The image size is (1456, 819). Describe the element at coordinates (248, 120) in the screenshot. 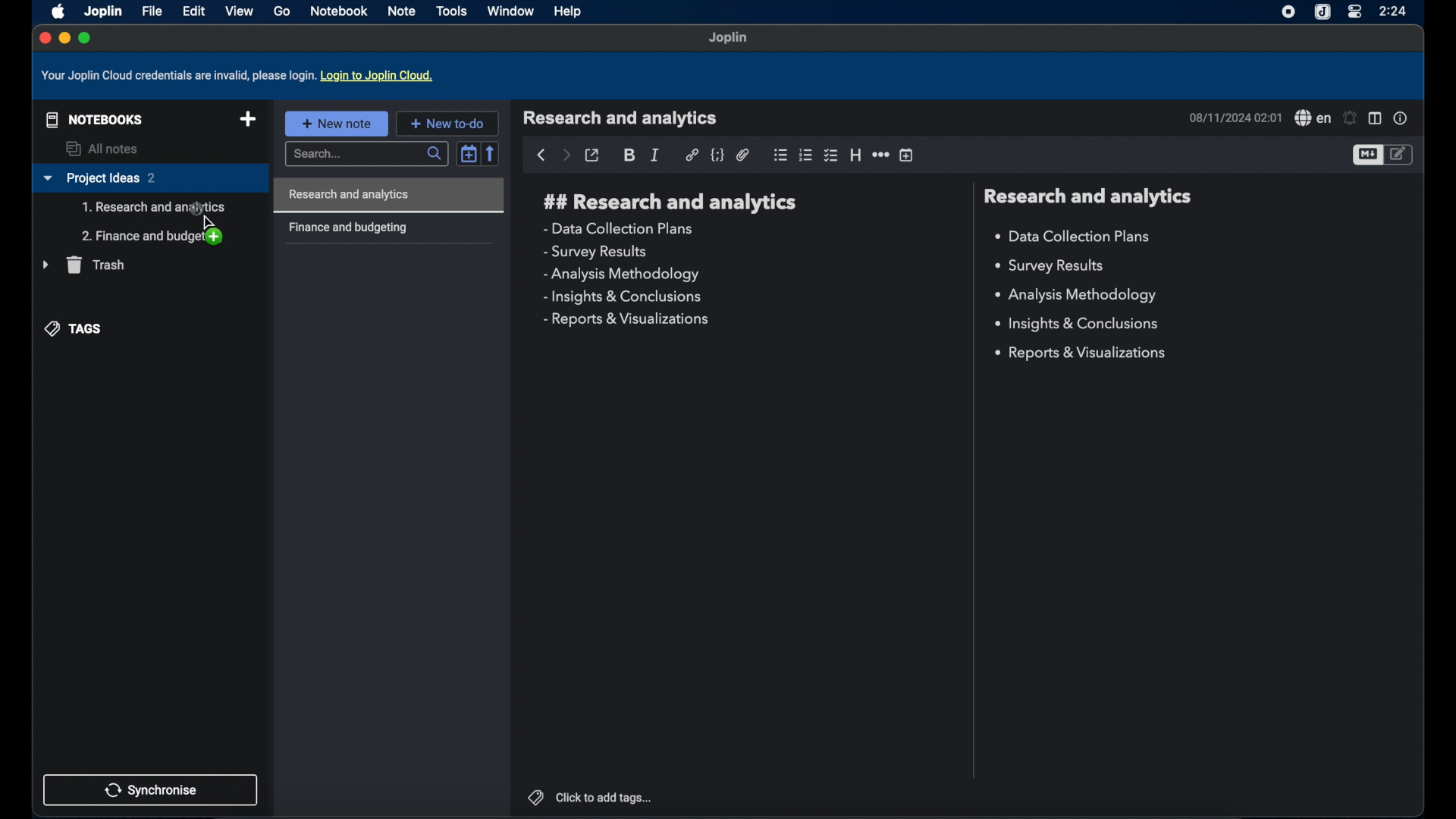

I see `new notebook` at that location.